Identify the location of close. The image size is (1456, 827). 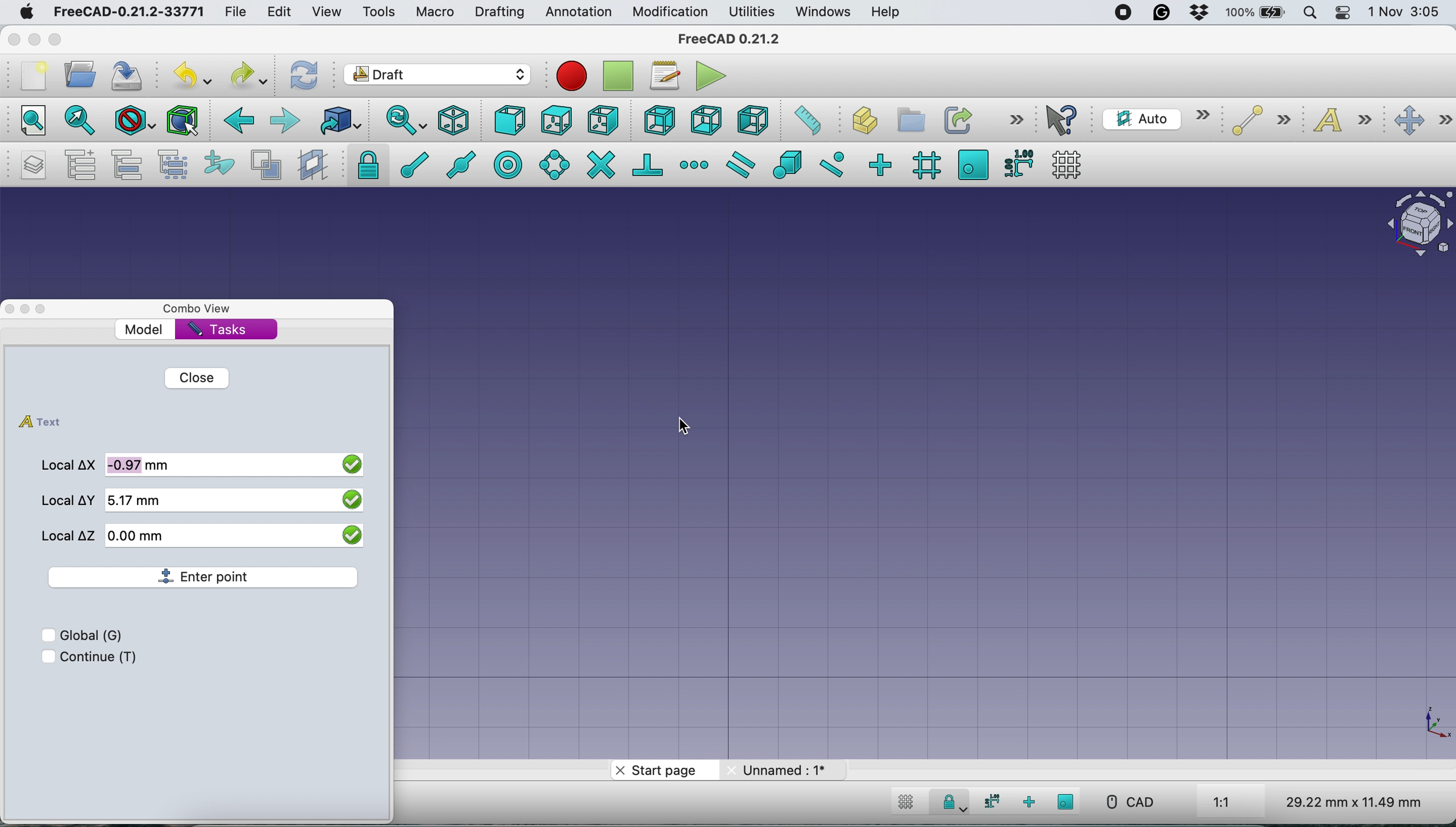
(196, 379).